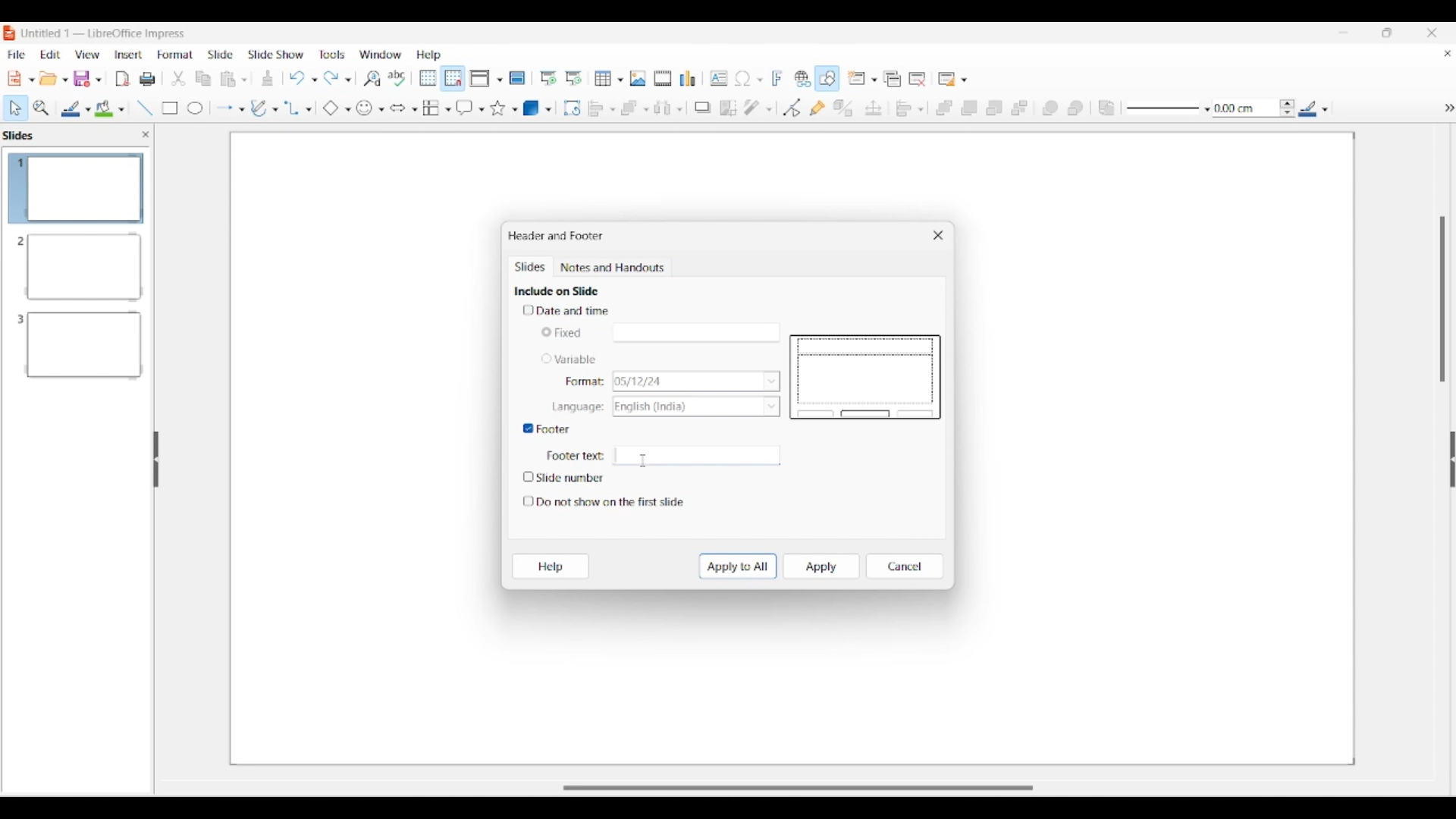  I want to click on Slide 1, so click(80, 187).